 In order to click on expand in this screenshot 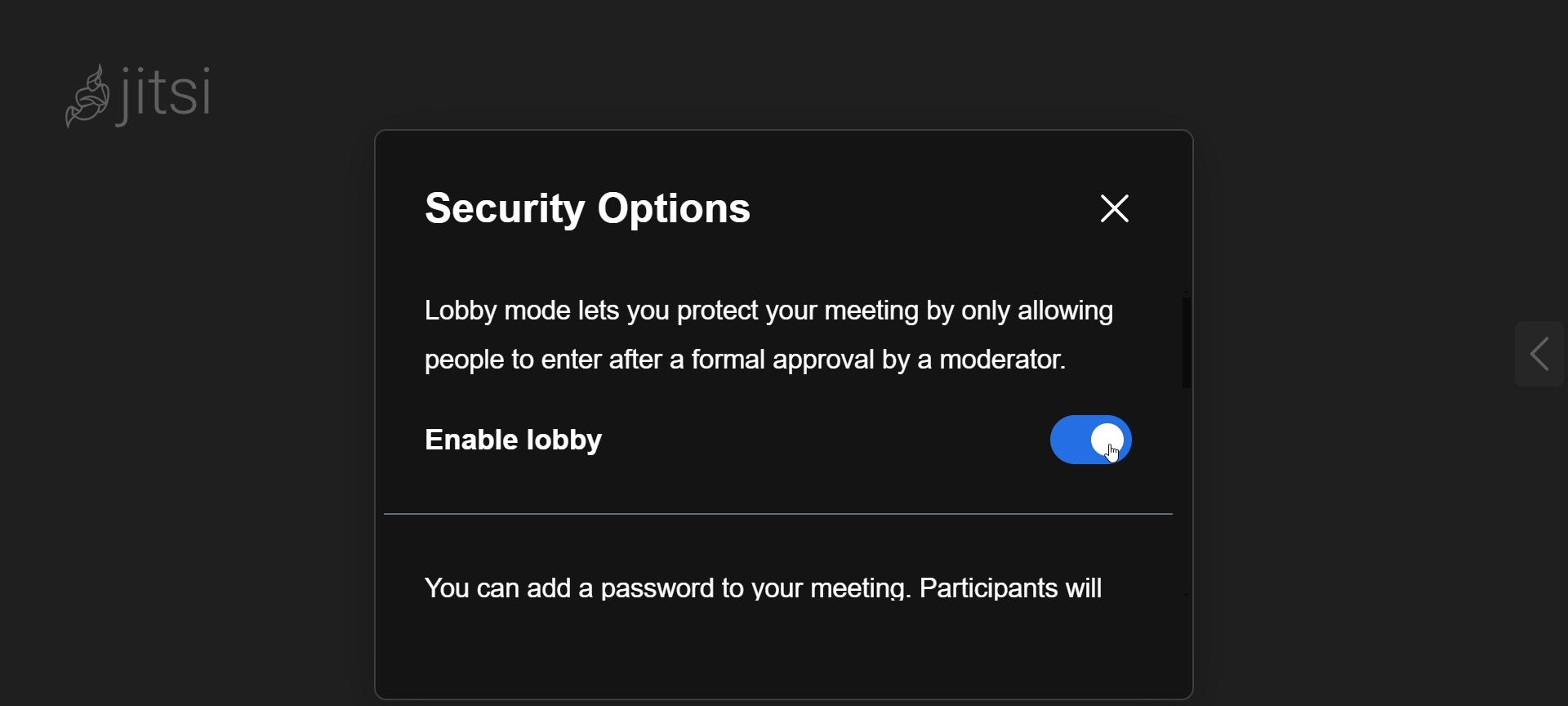, I will do `click(1523, 354)`.